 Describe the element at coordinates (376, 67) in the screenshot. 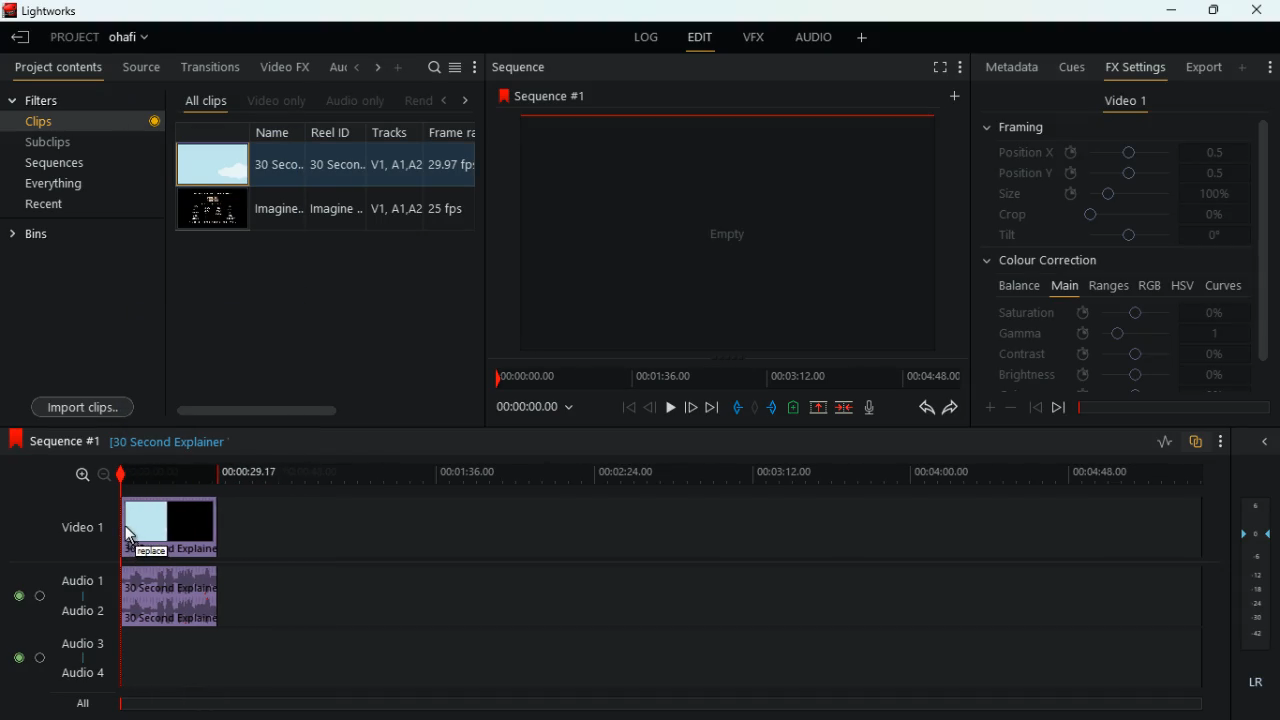

I see `right` at that location.